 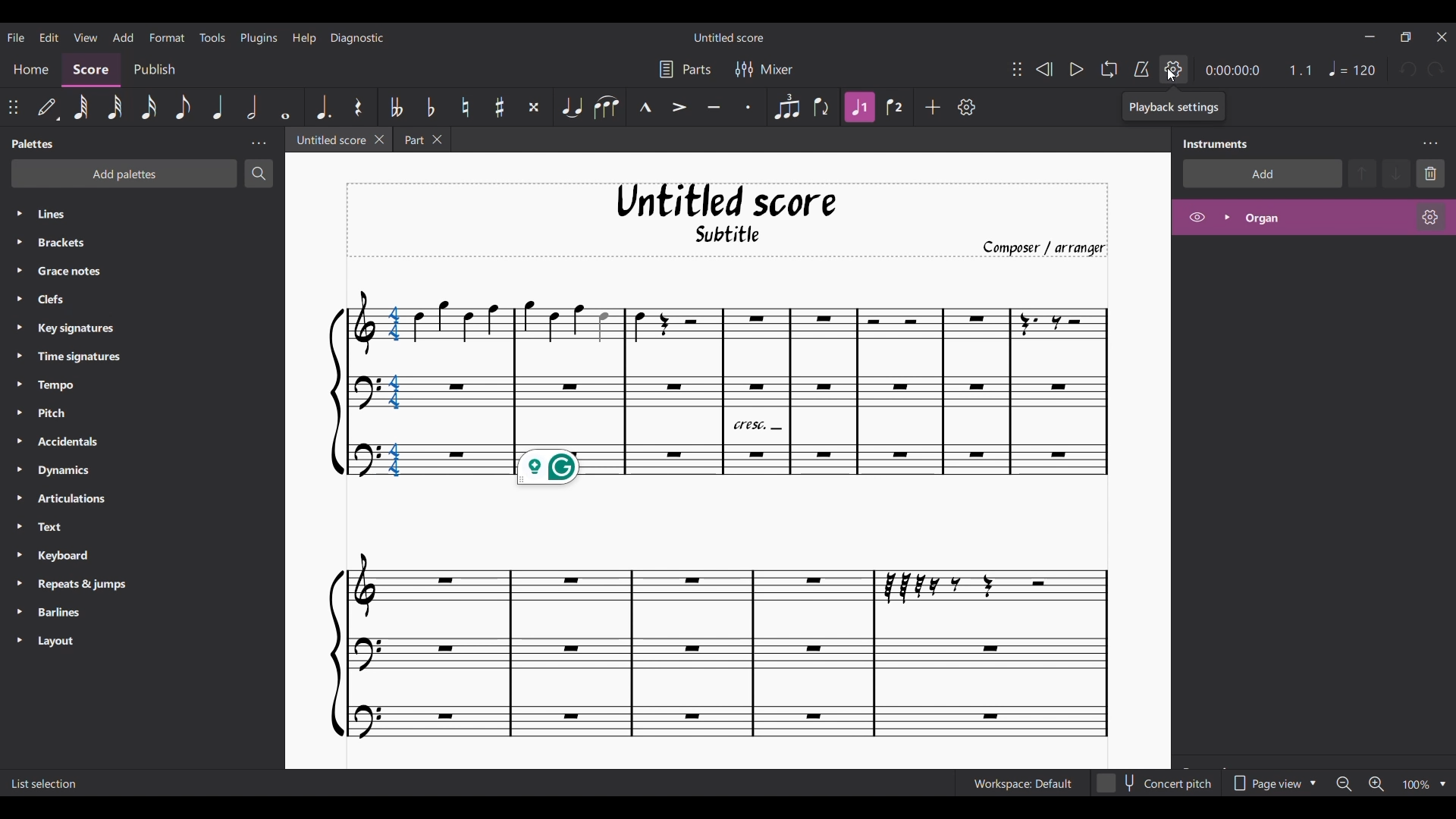 What do you see at coordinates (1430, 174) in the screenshot?
I see `Delete` at bounding box center [1430, 174].